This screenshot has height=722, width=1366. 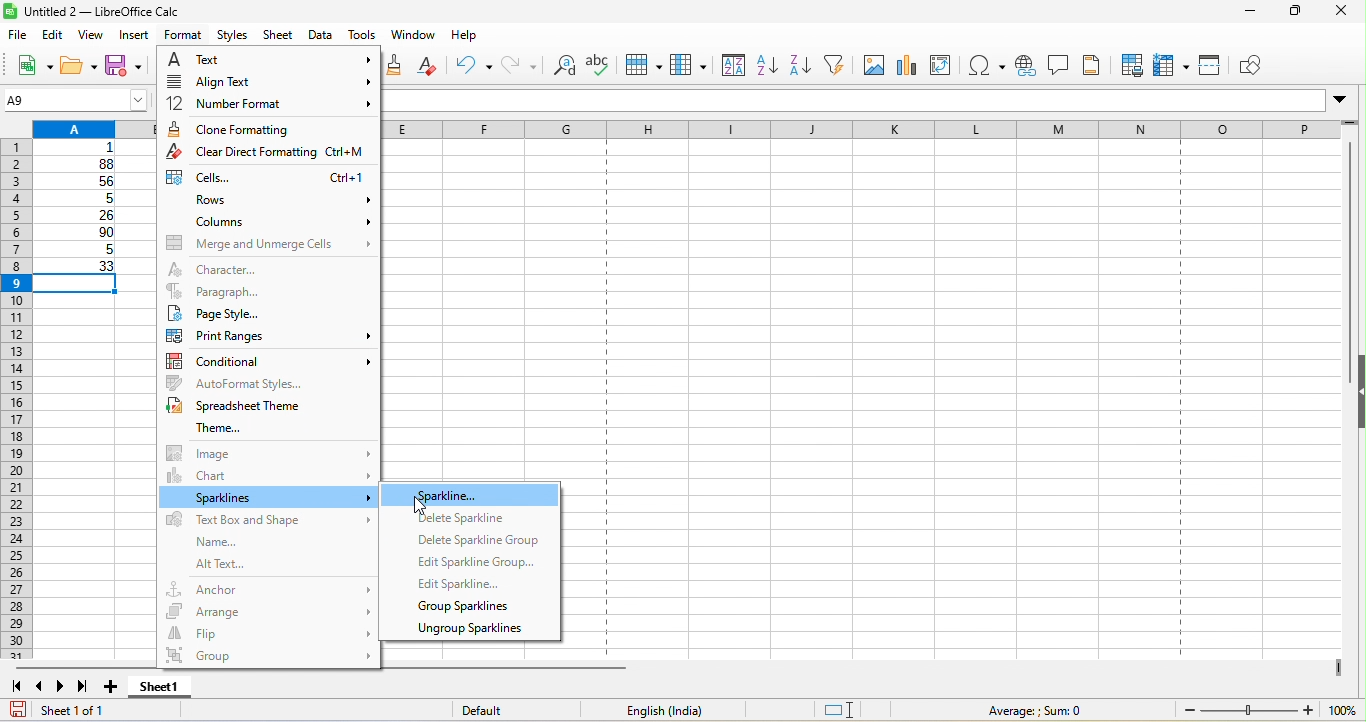 I want to click on tools, so click(x=363, y=36).